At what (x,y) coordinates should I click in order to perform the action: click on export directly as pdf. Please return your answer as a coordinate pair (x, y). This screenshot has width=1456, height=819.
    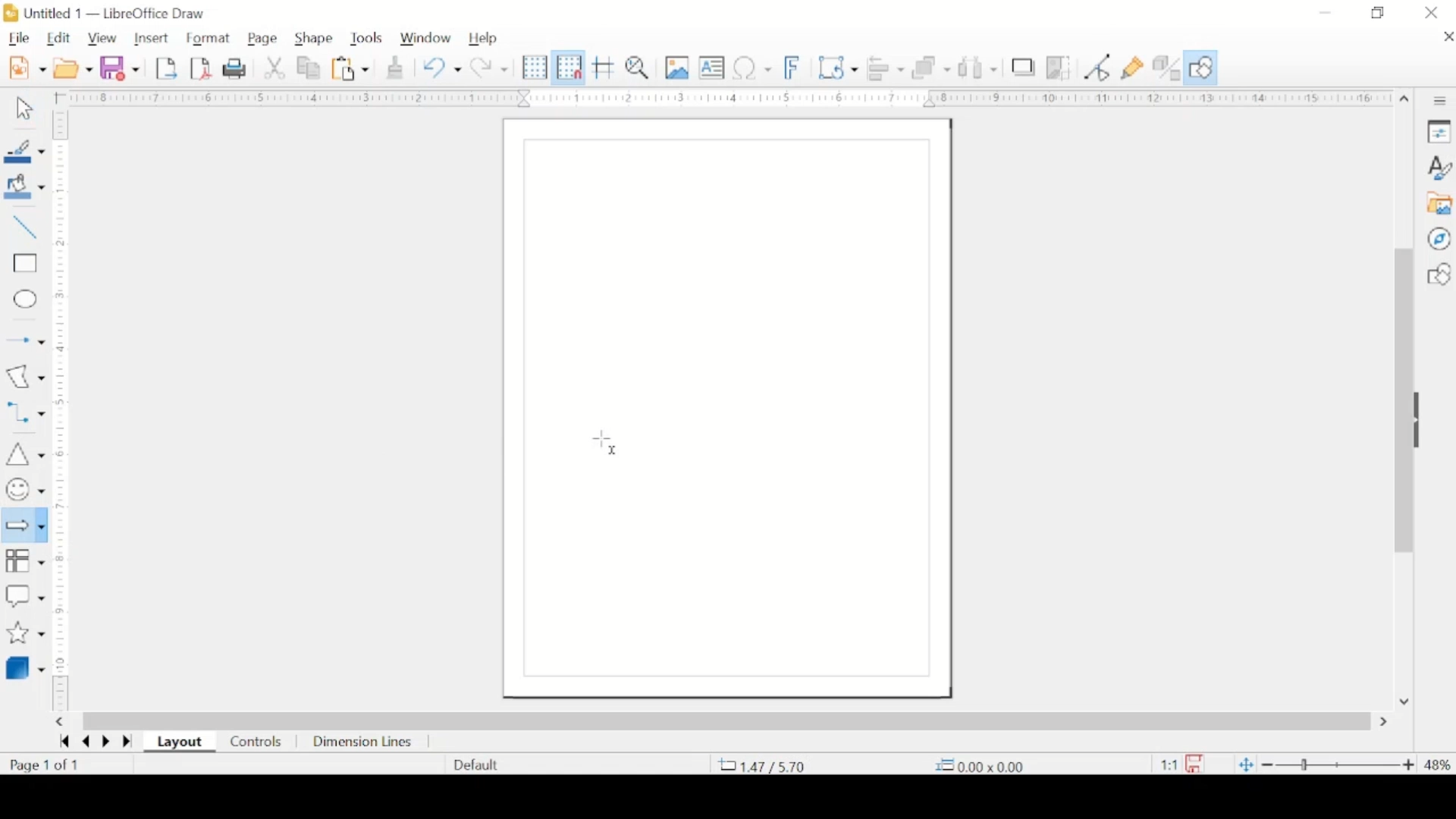
    Looking at the image, I should click on (200, 69).